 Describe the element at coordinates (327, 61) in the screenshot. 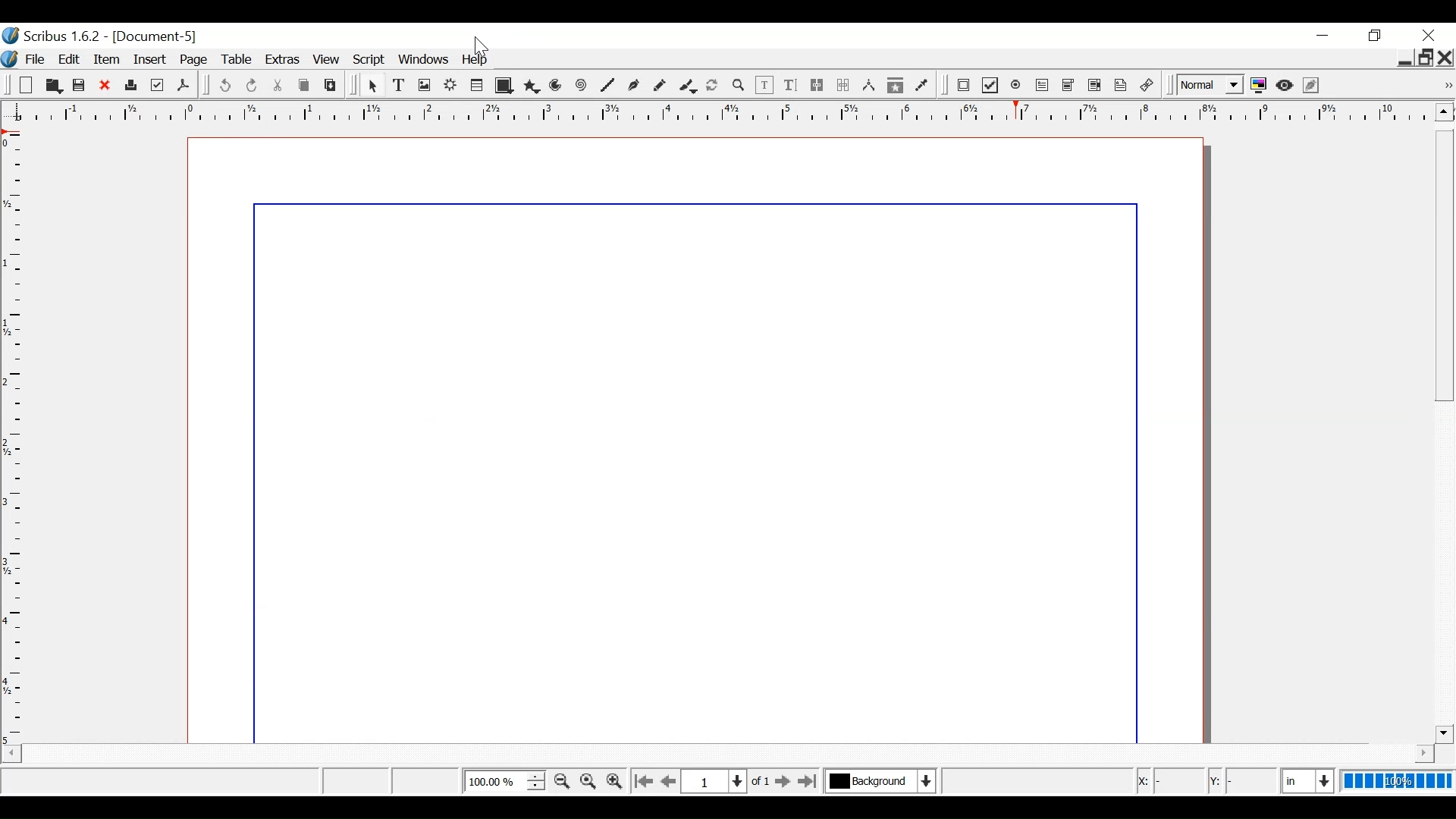

I see `View` at that location.